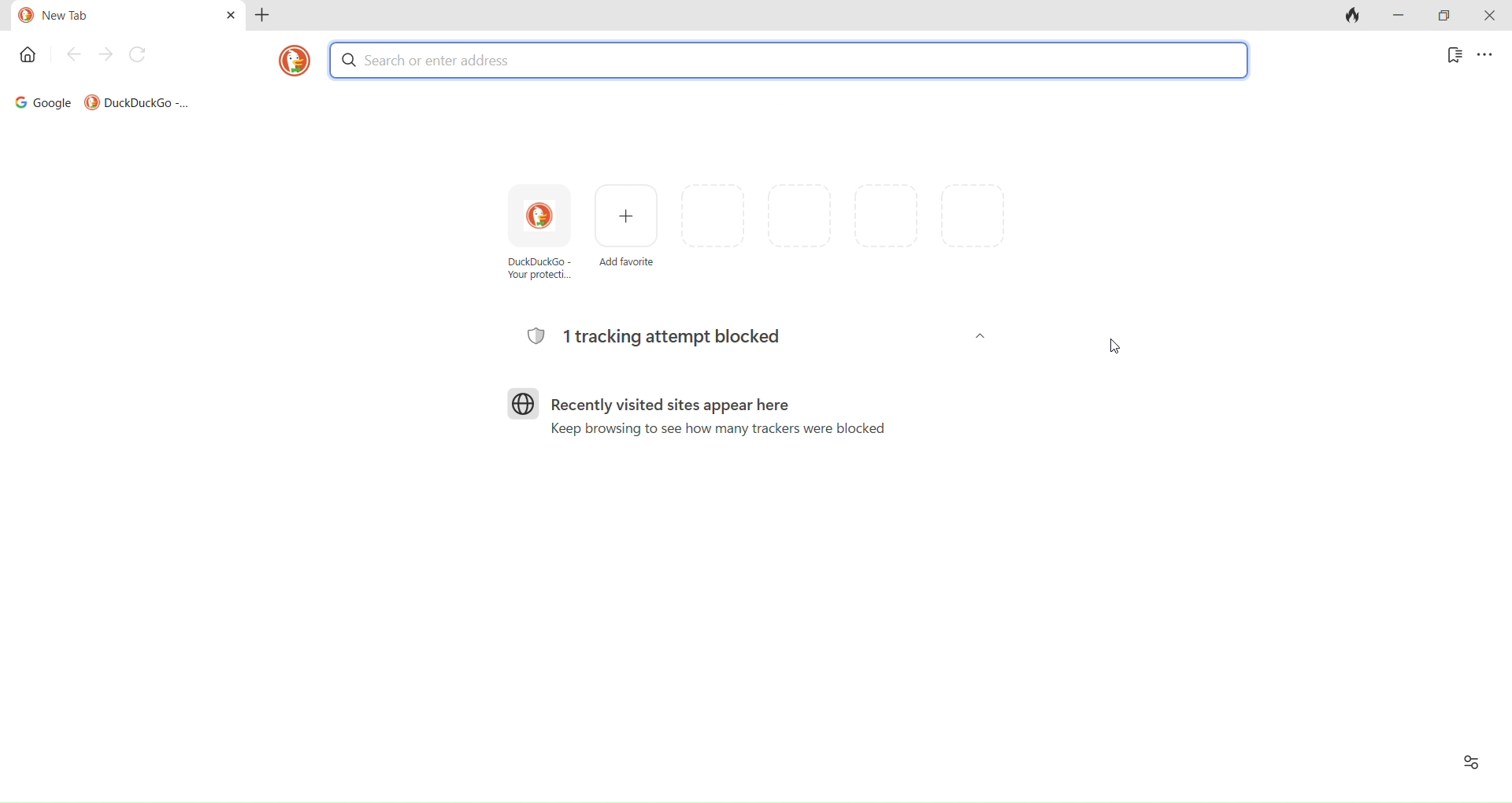 The width and height of the screenshot is (1512, 803). What do you see at coordinates (106, 54) in the screenshot?
I see `forward` at bounding box center [106, 54].